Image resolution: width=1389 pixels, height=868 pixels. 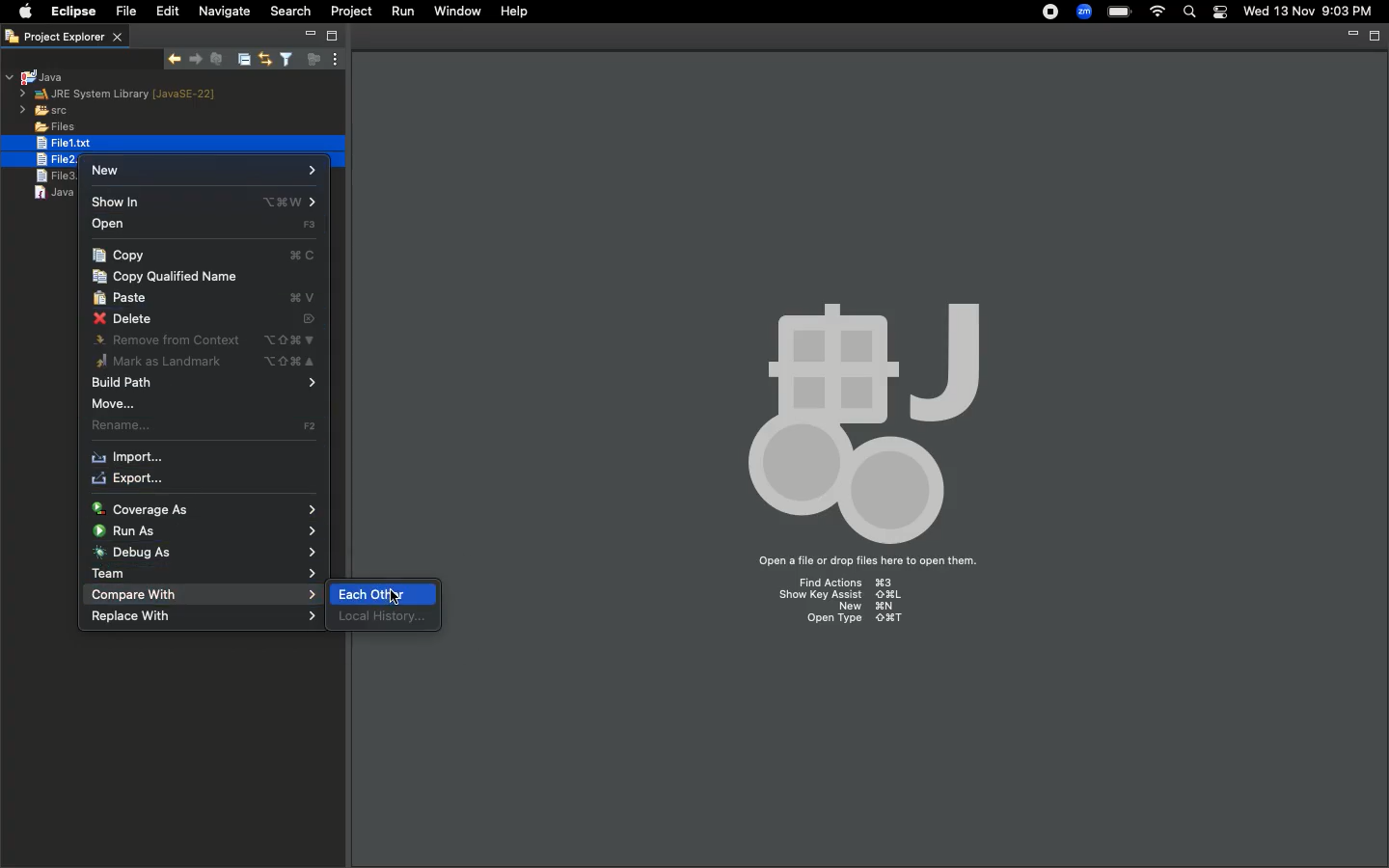 I want to click on Copy, so click(x=207, y=255).